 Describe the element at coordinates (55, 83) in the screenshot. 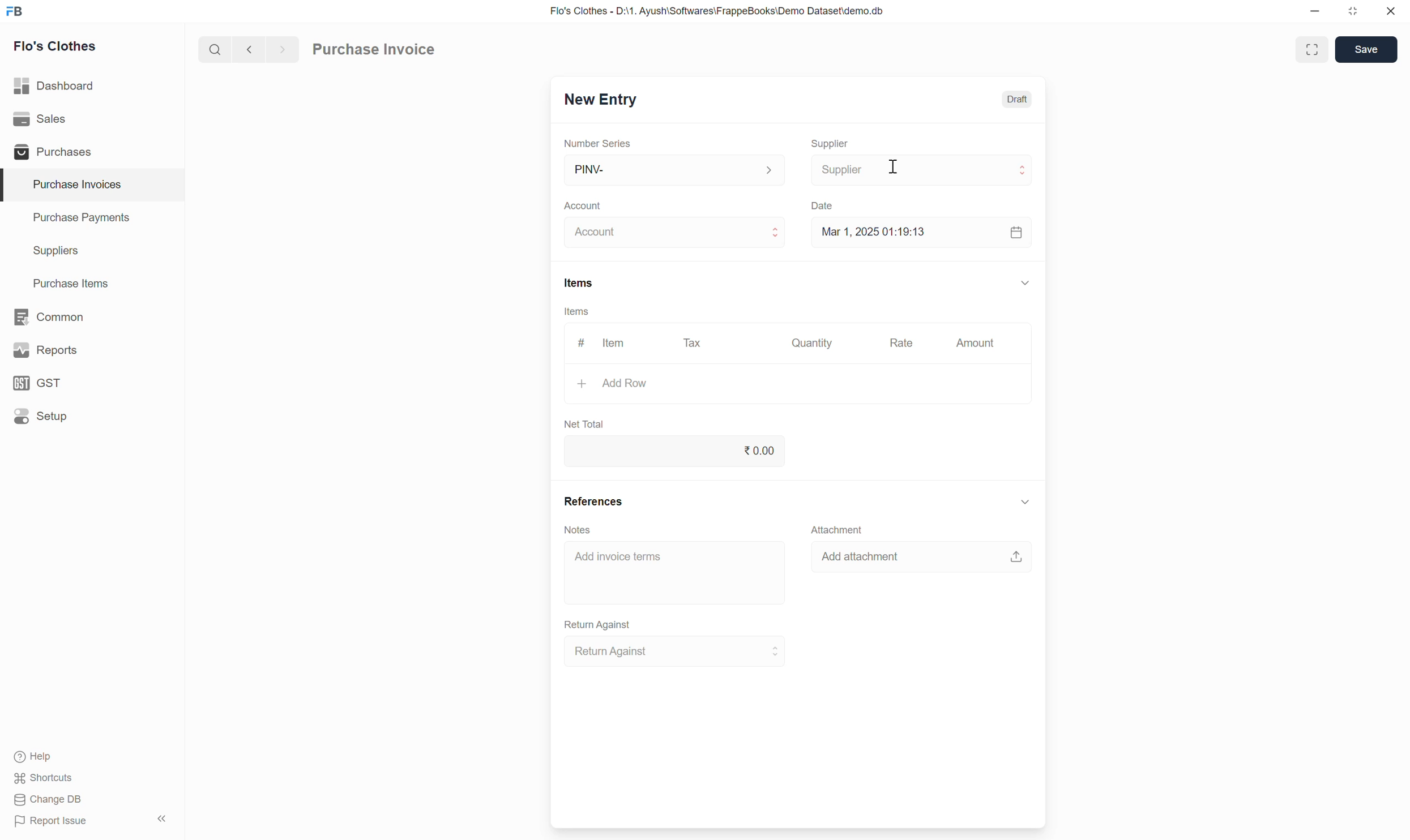

I see `Dashboard` at that location.